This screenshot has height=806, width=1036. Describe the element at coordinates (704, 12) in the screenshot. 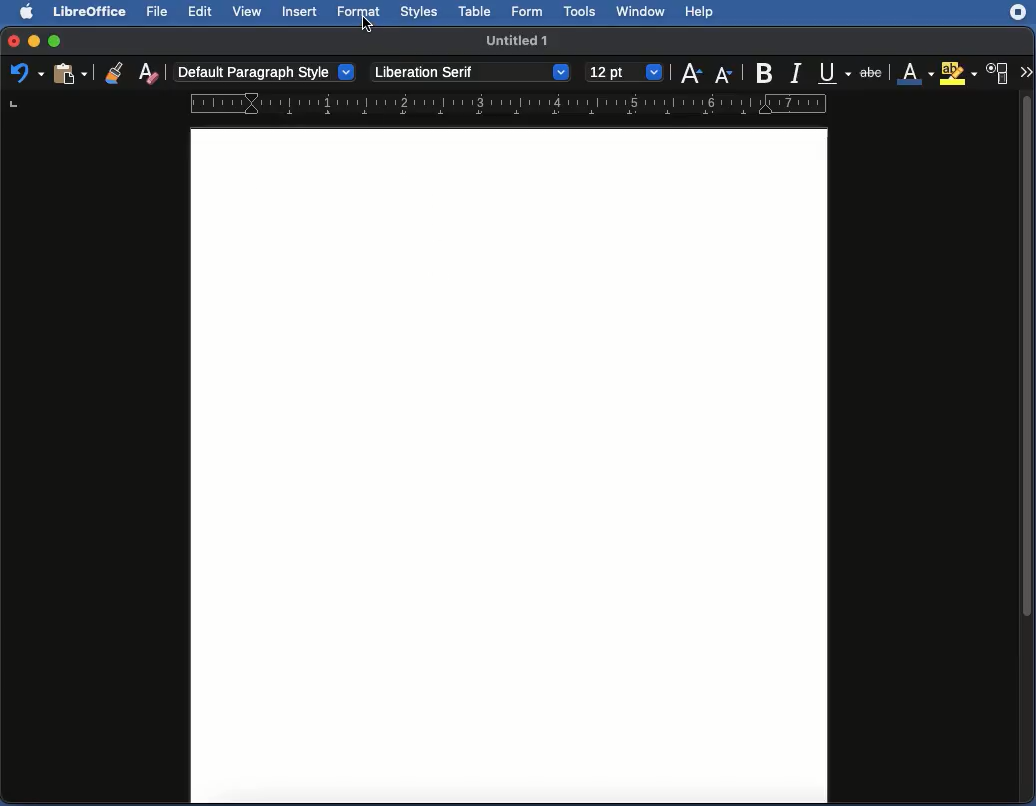

I see `Help` at that location.